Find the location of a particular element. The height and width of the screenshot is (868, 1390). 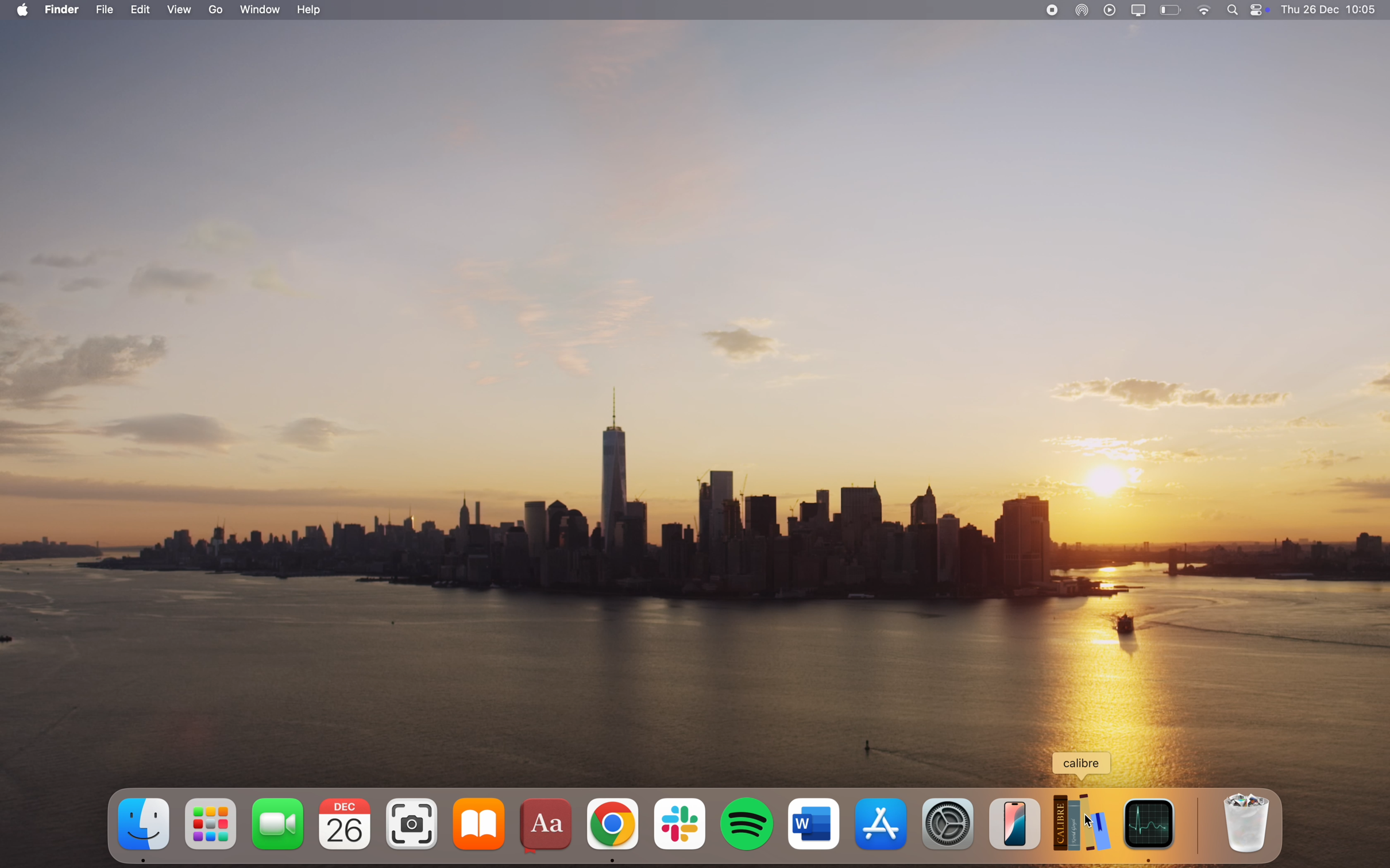

screenshot is located at coordinates (412, 820).